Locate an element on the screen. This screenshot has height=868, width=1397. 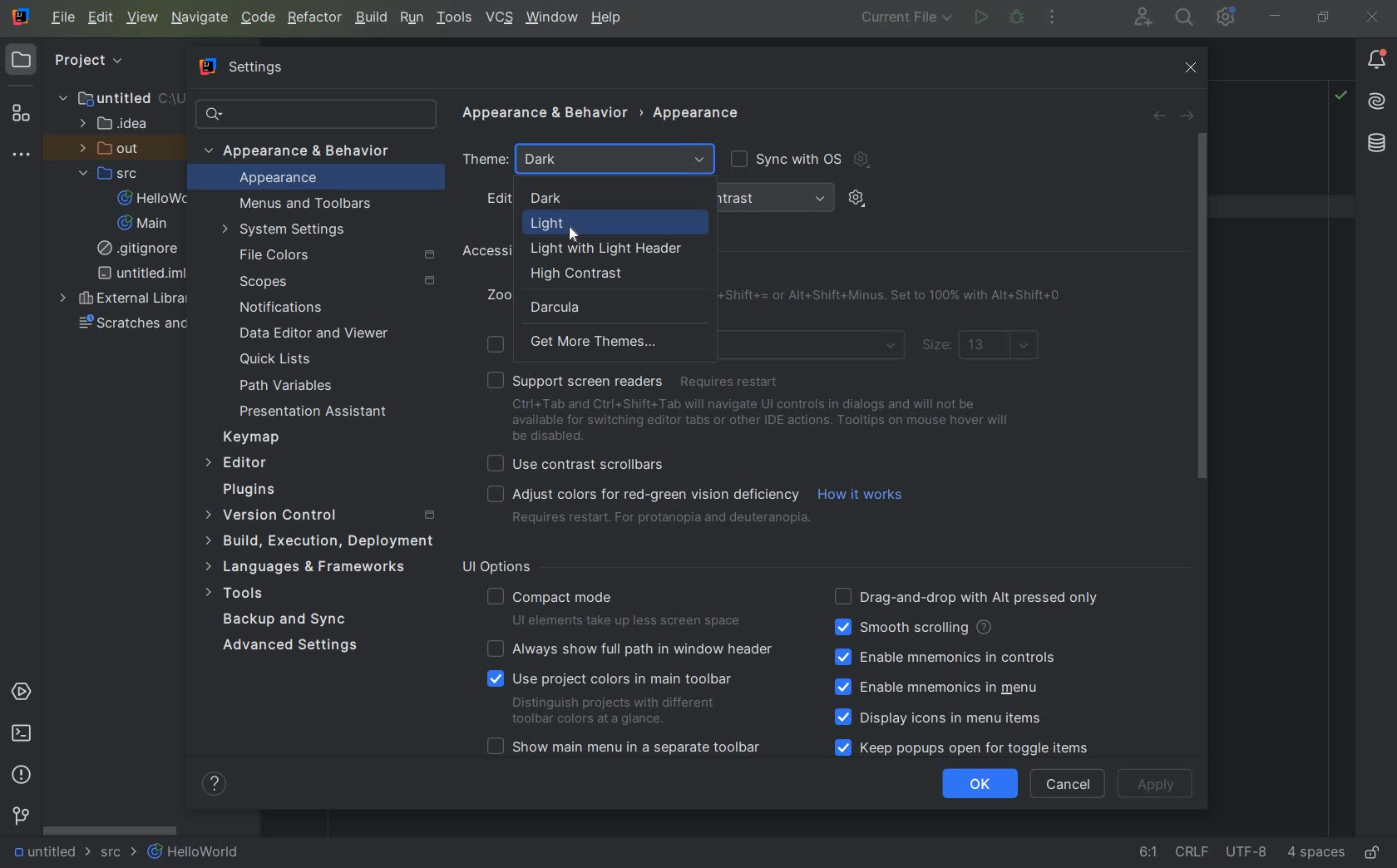
get more themes is located at coordinates (575, 343).